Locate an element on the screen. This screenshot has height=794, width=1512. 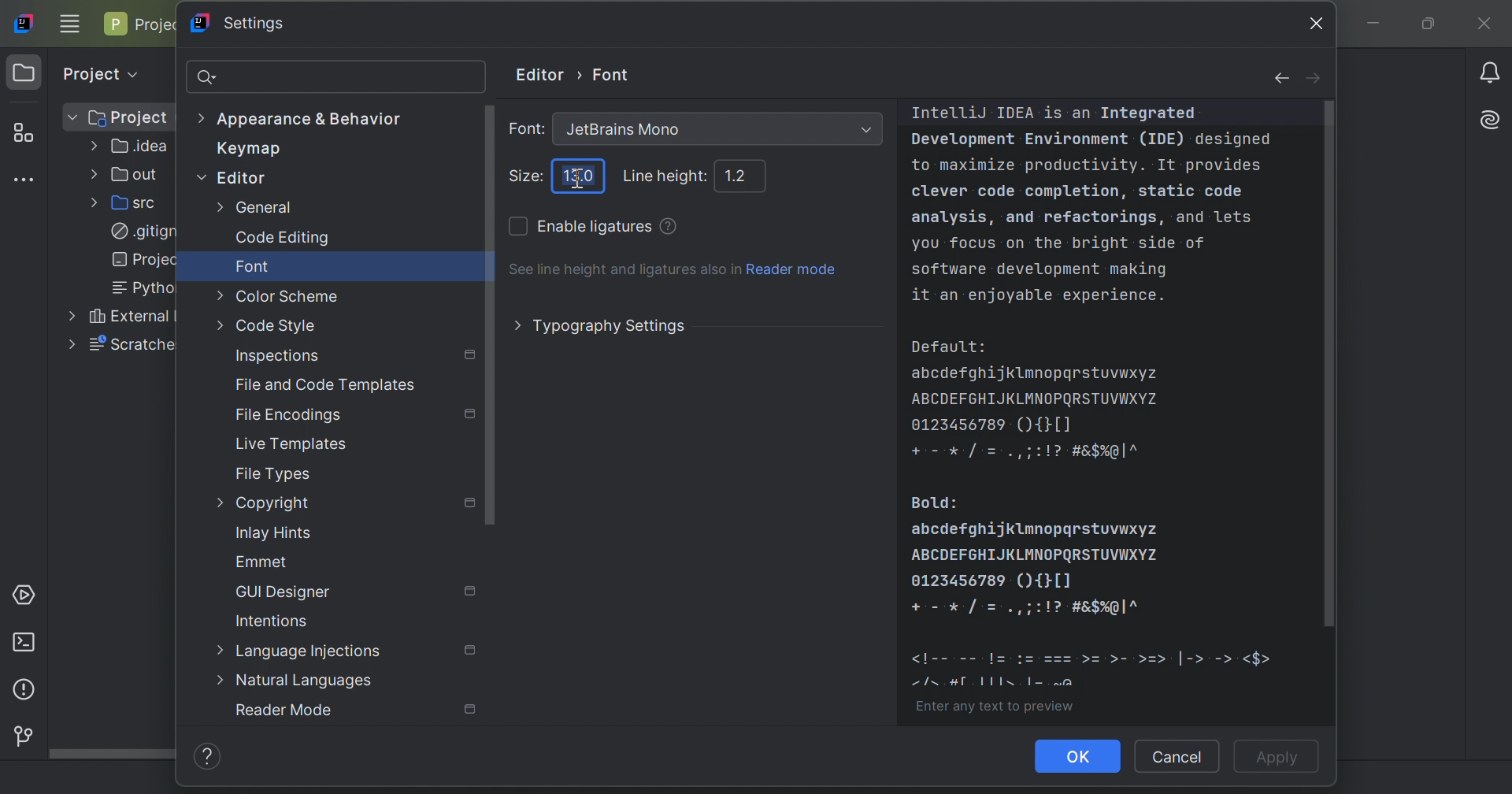
Settings is located at coordinates (249, 24).